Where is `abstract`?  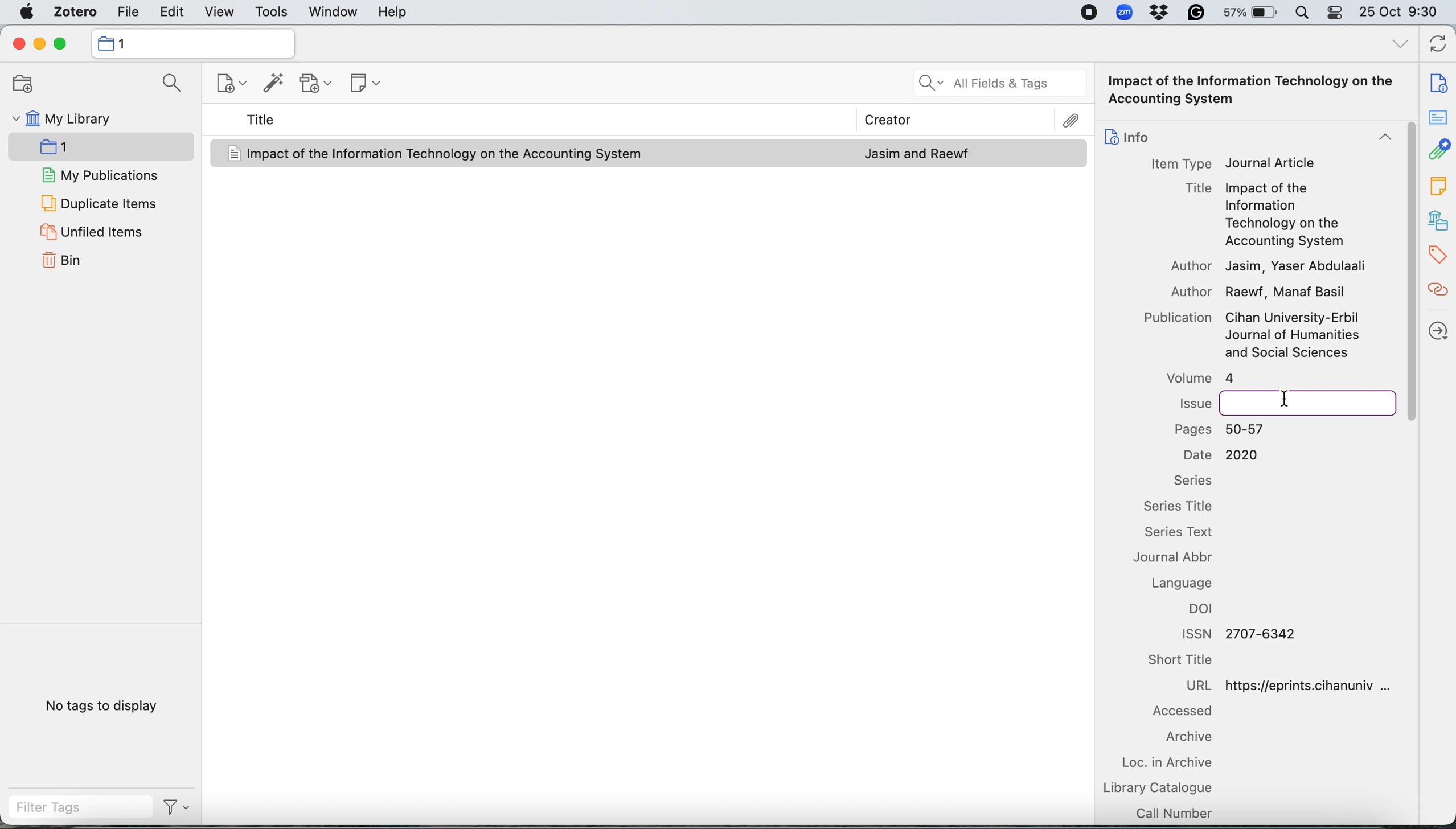
abstract is located at coordinates (1441, 121).